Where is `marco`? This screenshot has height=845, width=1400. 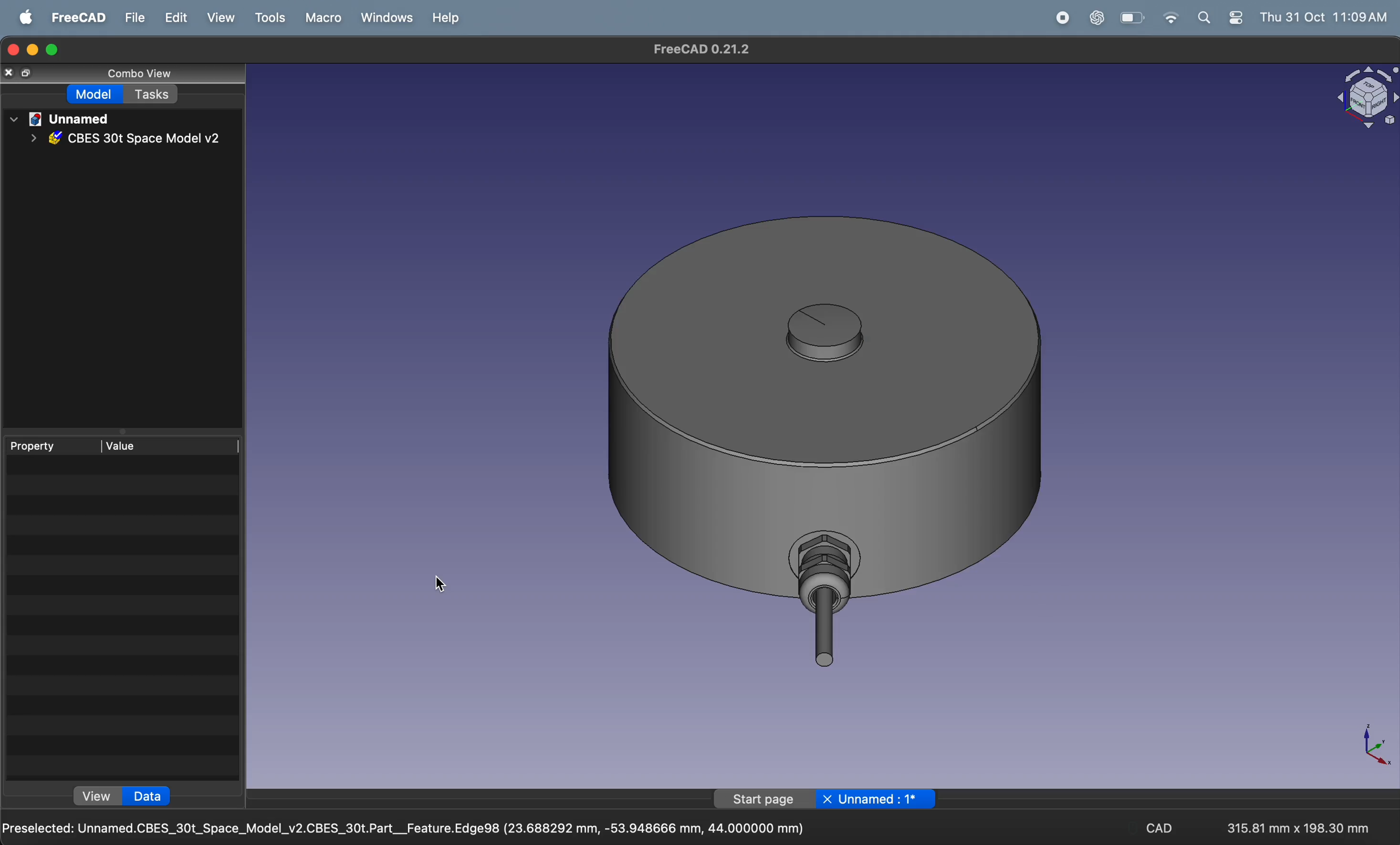 marco is located at coordinates (327, 18).